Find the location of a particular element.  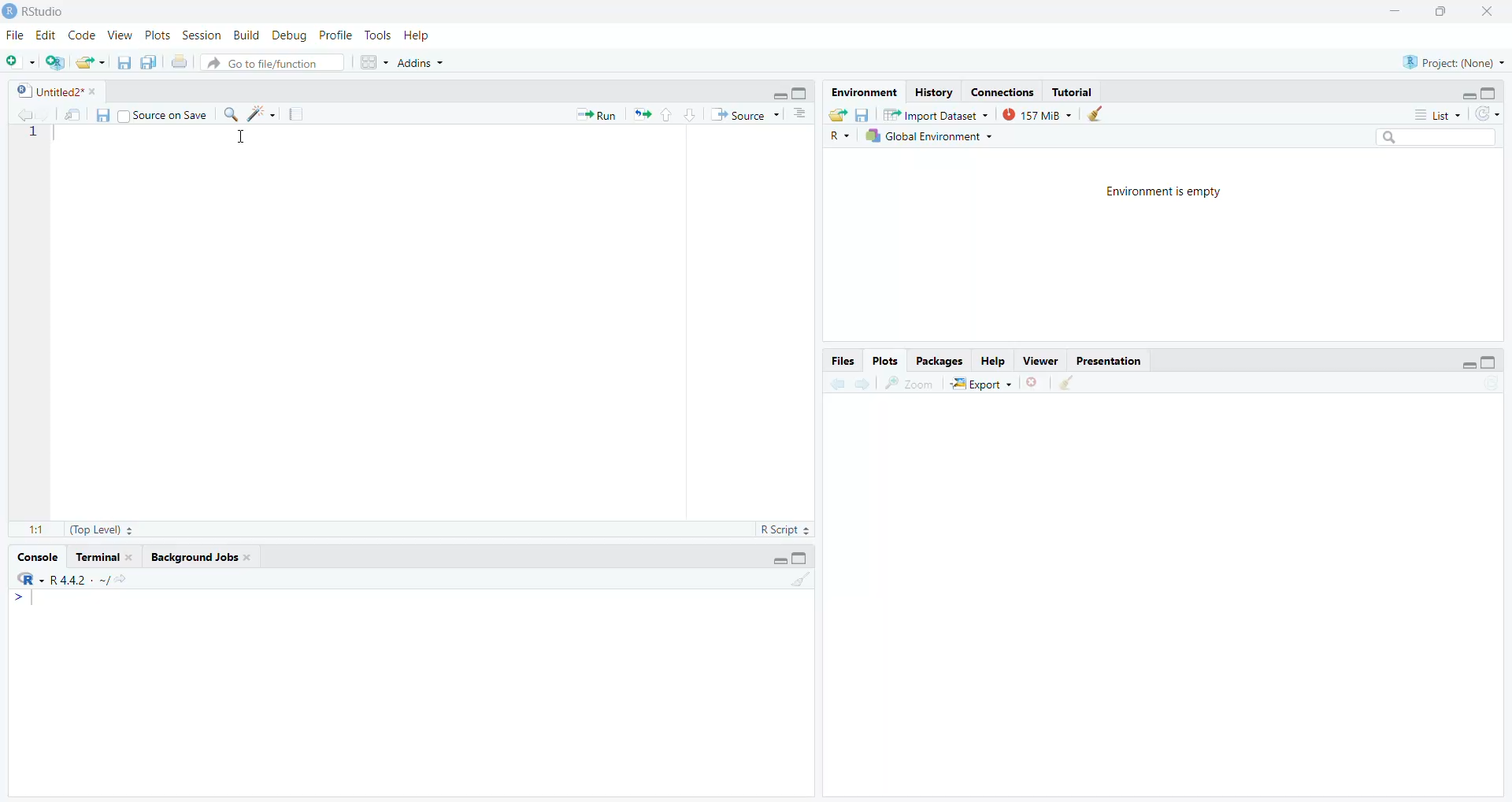

Tutorial is located at coordinates (1073, 91).